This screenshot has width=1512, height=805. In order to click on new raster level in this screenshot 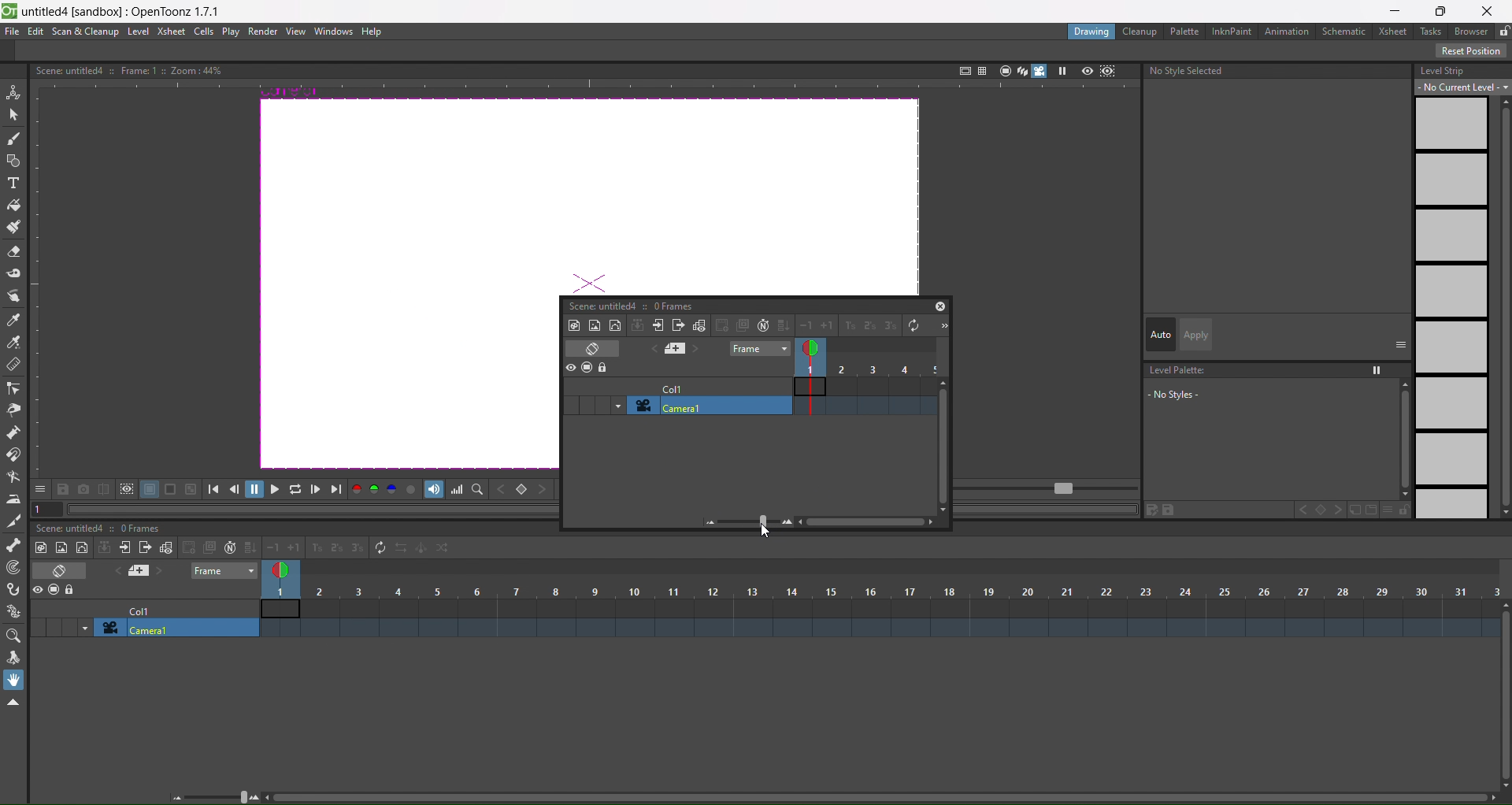, I will do `click(594, 324)`.